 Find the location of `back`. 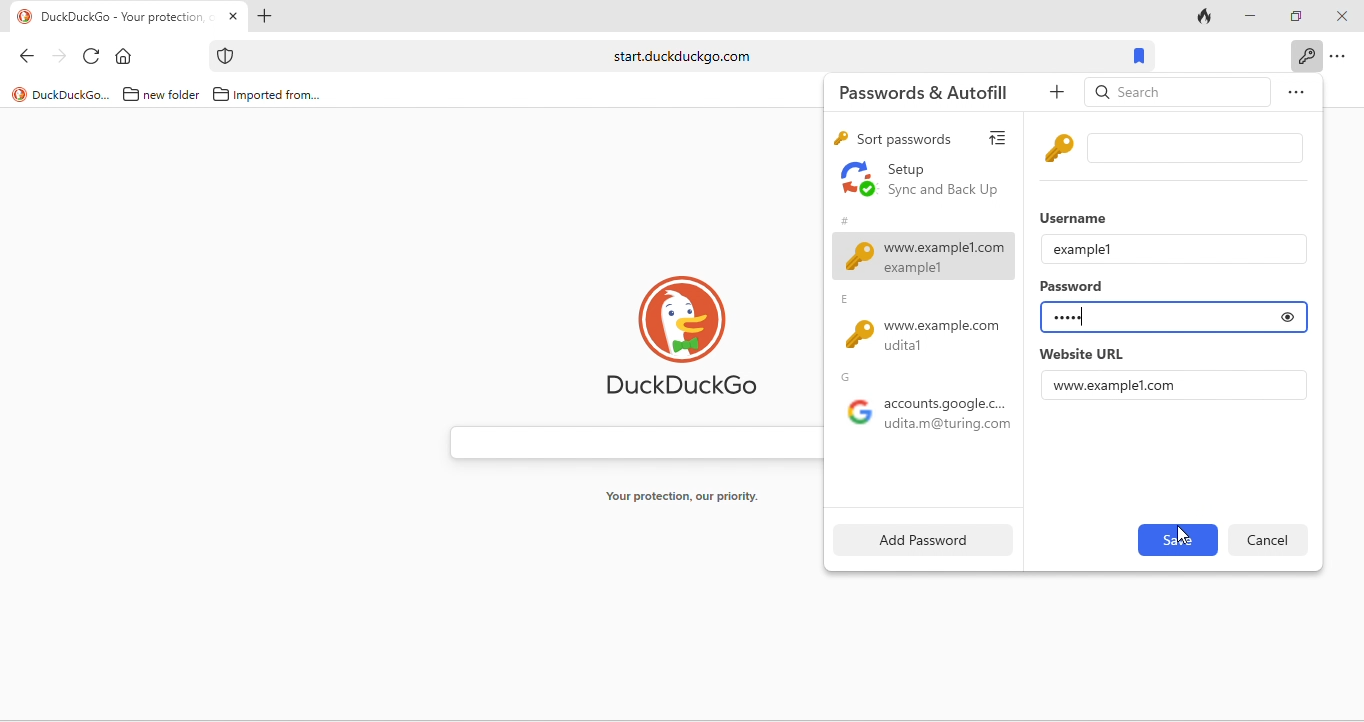

back is located at coordinates (21, 54).